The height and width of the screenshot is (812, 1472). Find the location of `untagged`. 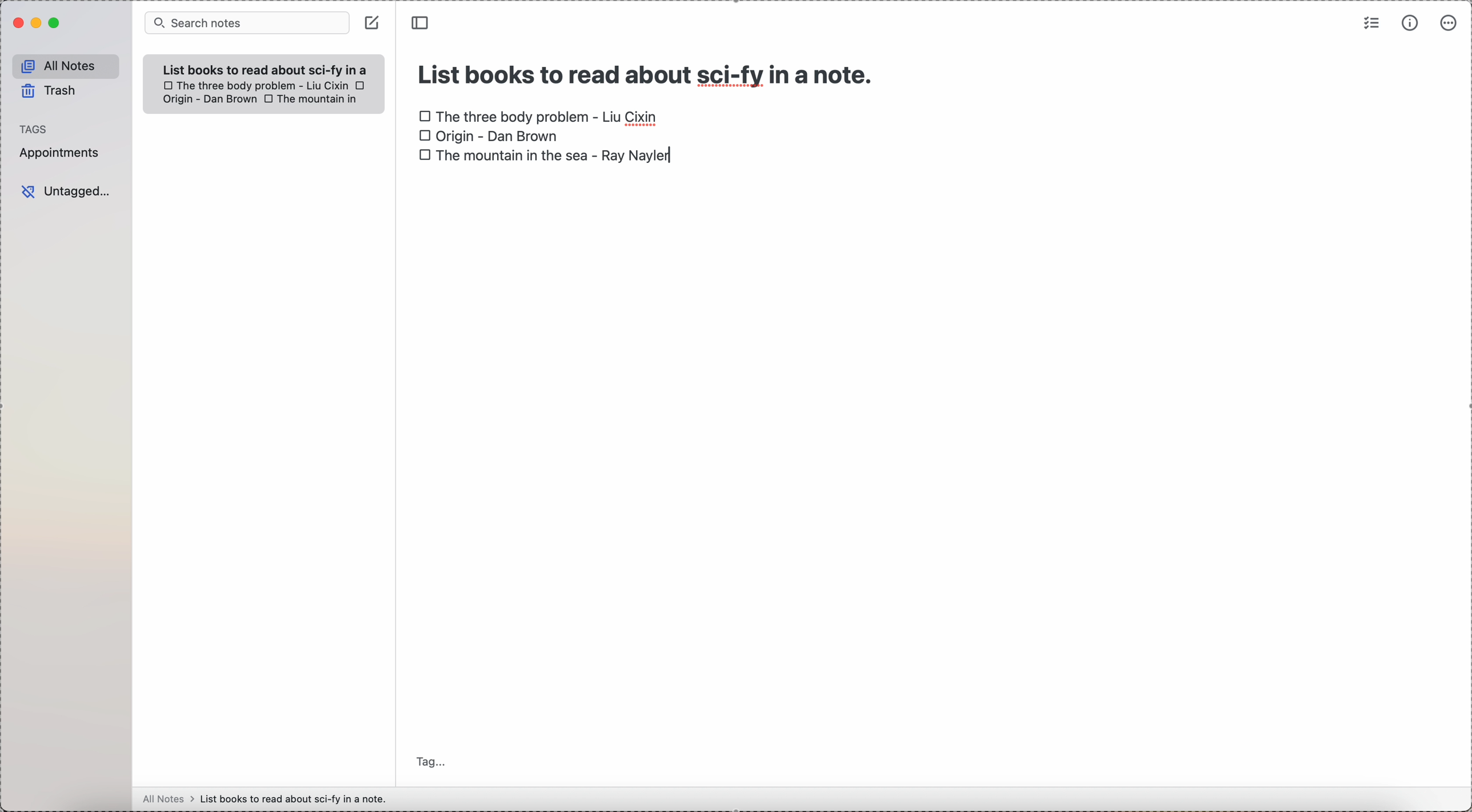

untagged is located at coordinates (66, 191).